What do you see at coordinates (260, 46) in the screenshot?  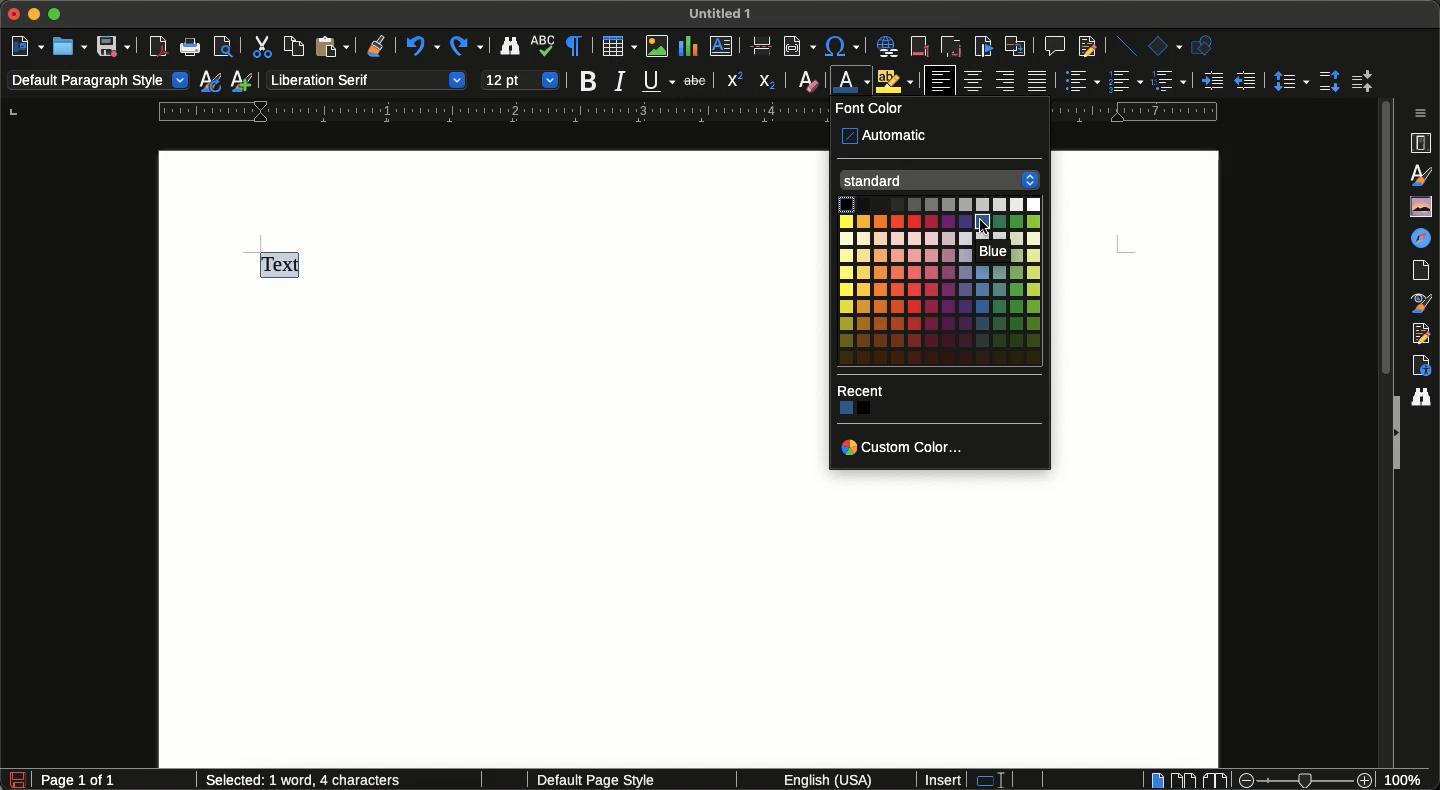 I see `Cut` at bounding box center [260, 46].